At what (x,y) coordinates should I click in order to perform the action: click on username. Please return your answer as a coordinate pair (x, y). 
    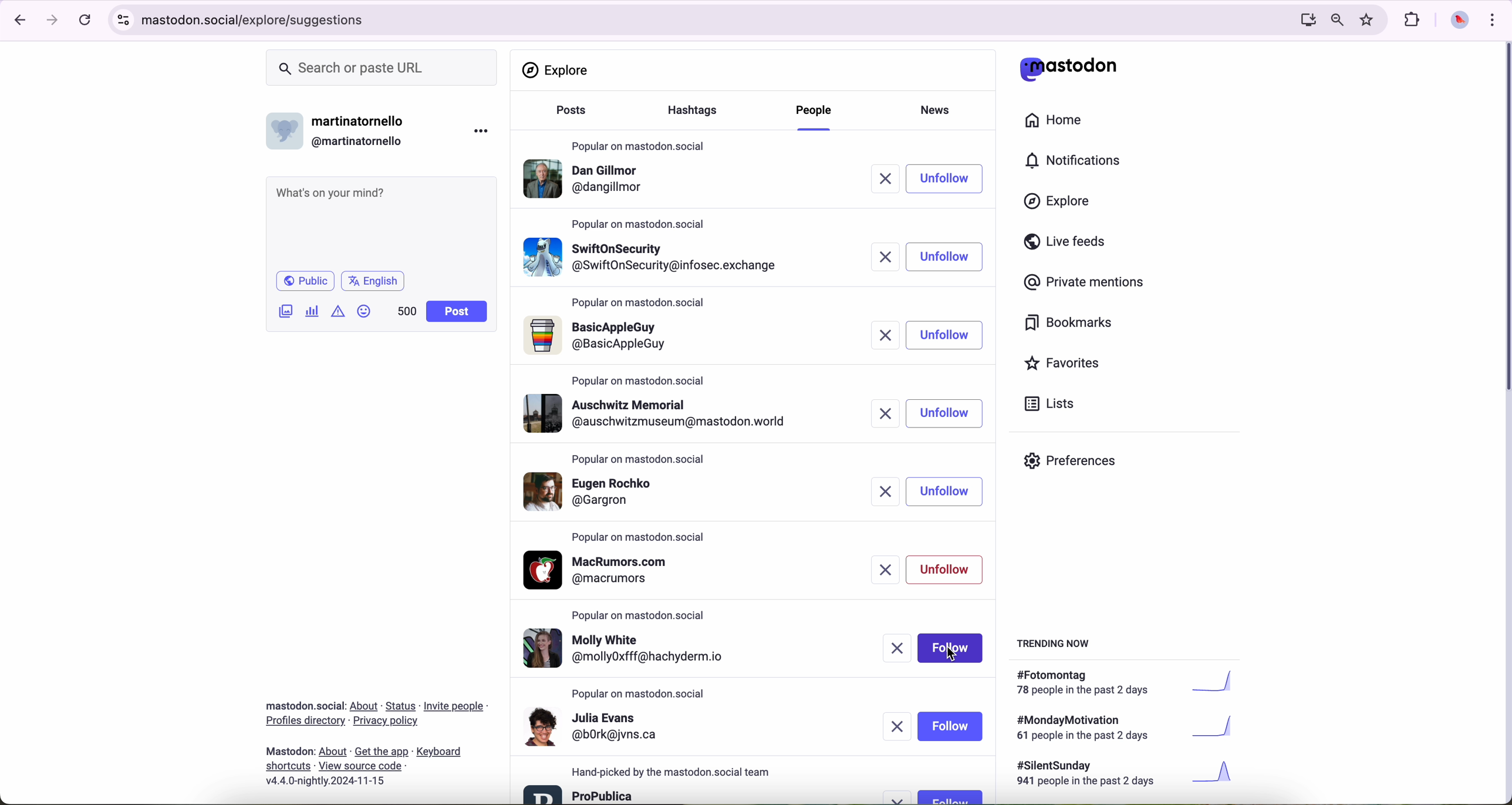
    Looking at the image, I should click on (341, 128).